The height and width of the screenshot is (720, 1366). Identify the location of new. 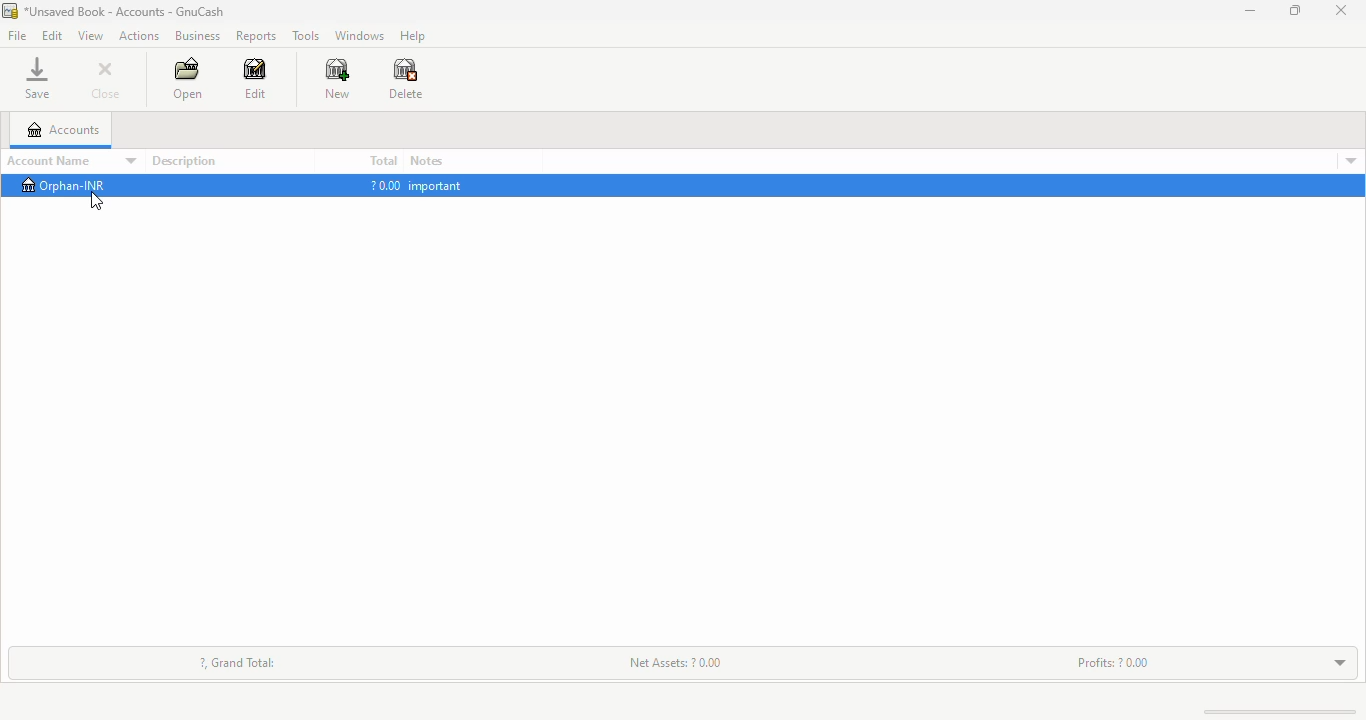
(337, 78).